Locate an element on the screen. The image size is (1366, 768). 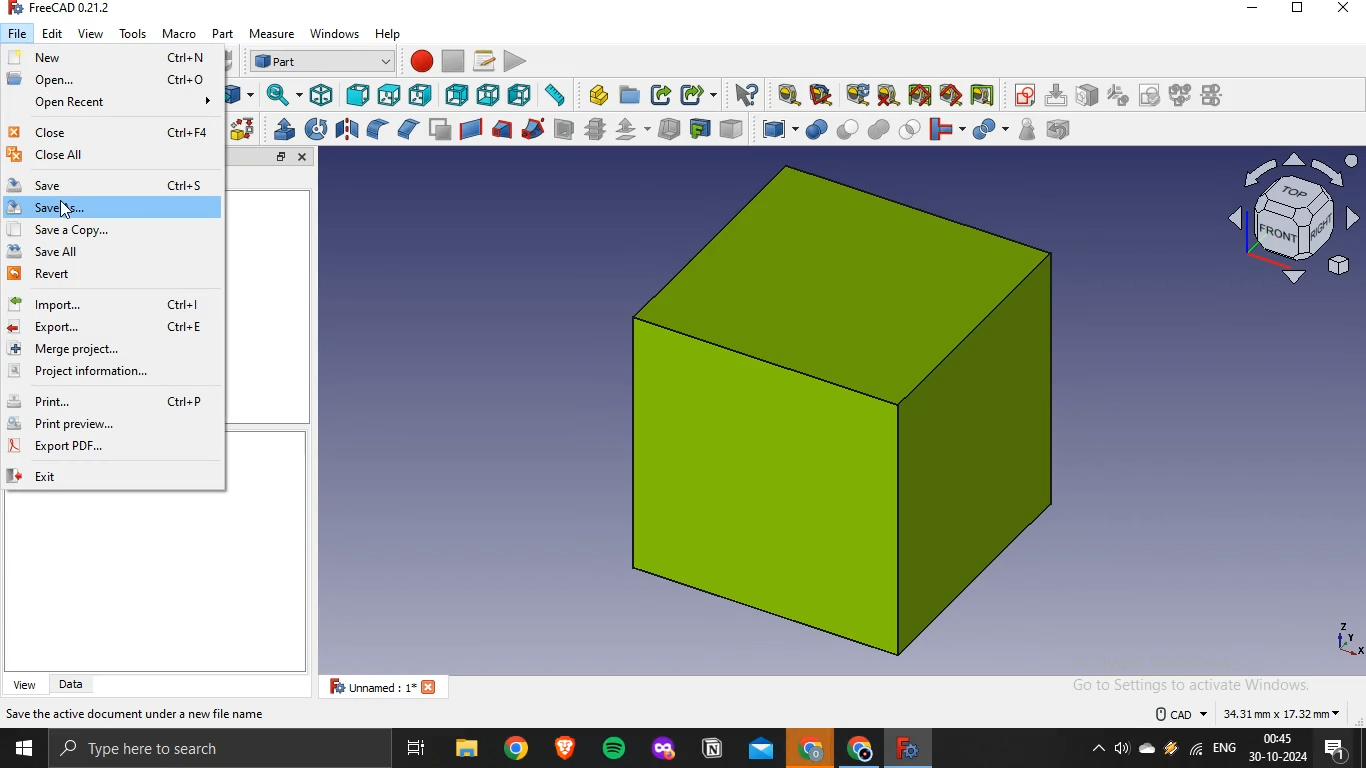
notion is located at coordinates (713, 748).